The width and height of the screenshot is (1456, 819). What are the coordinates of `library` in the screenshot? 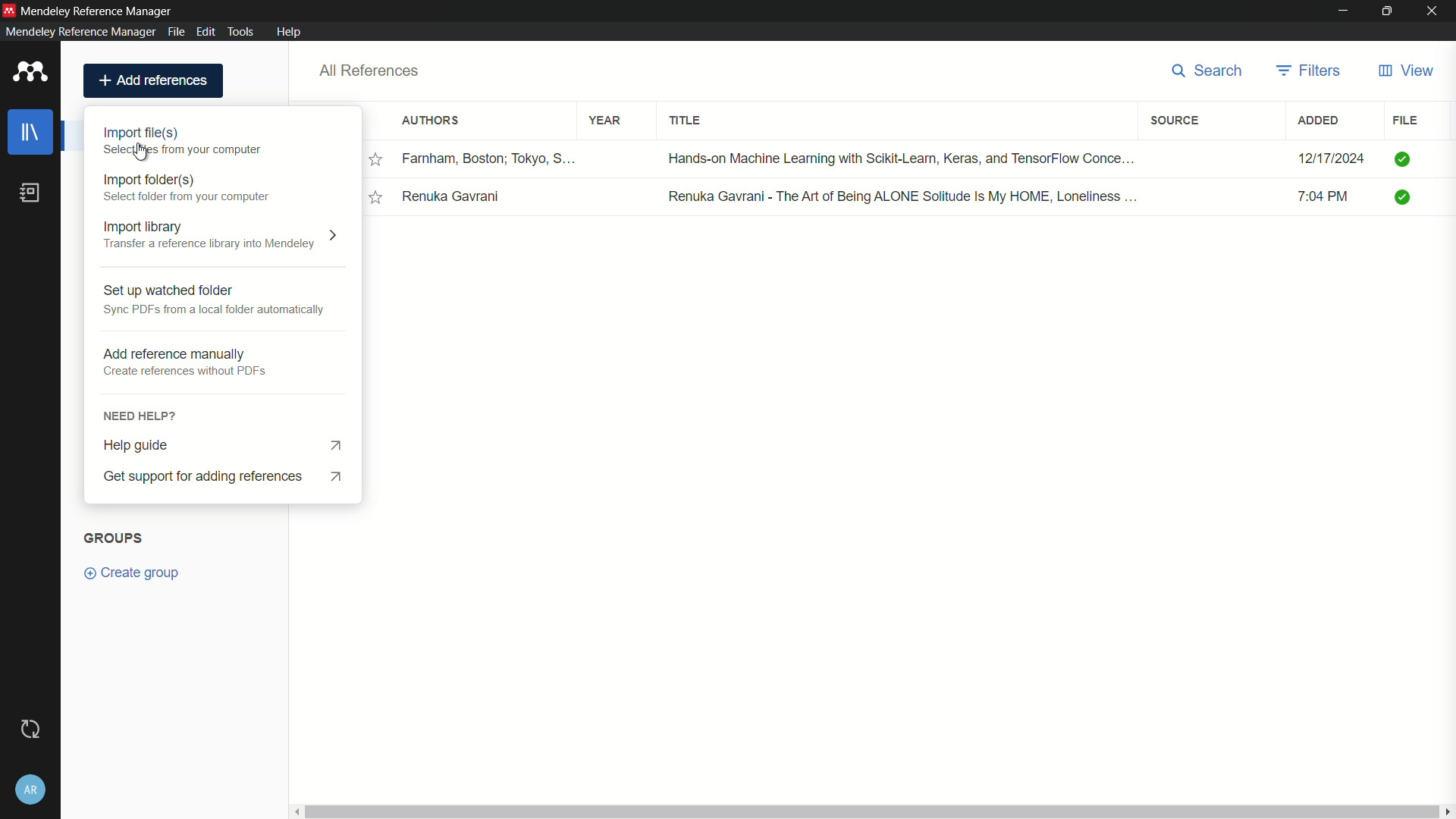 It's located at (33, 132).